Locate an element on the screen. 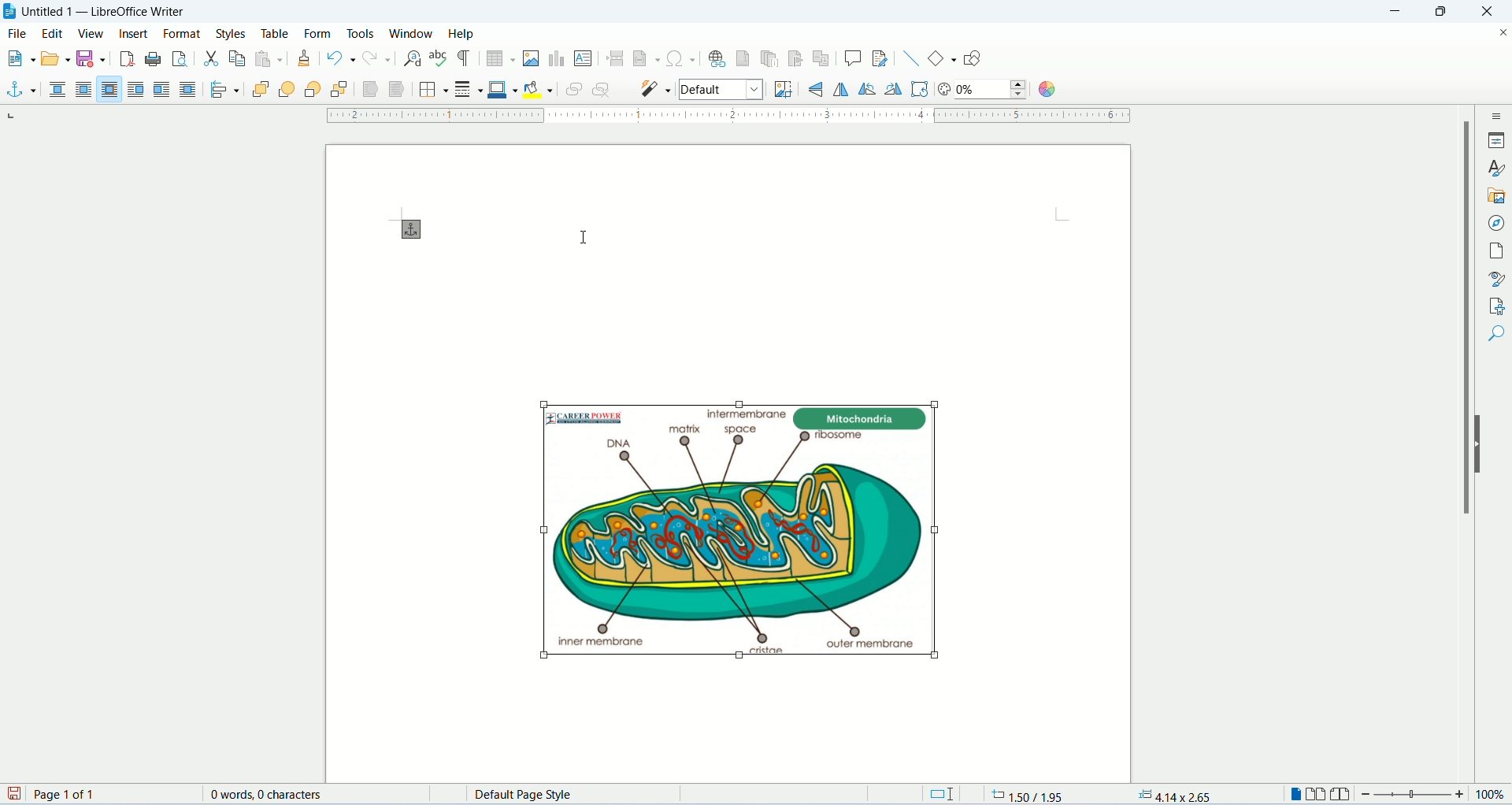  before is located at coordinates (137, 90).